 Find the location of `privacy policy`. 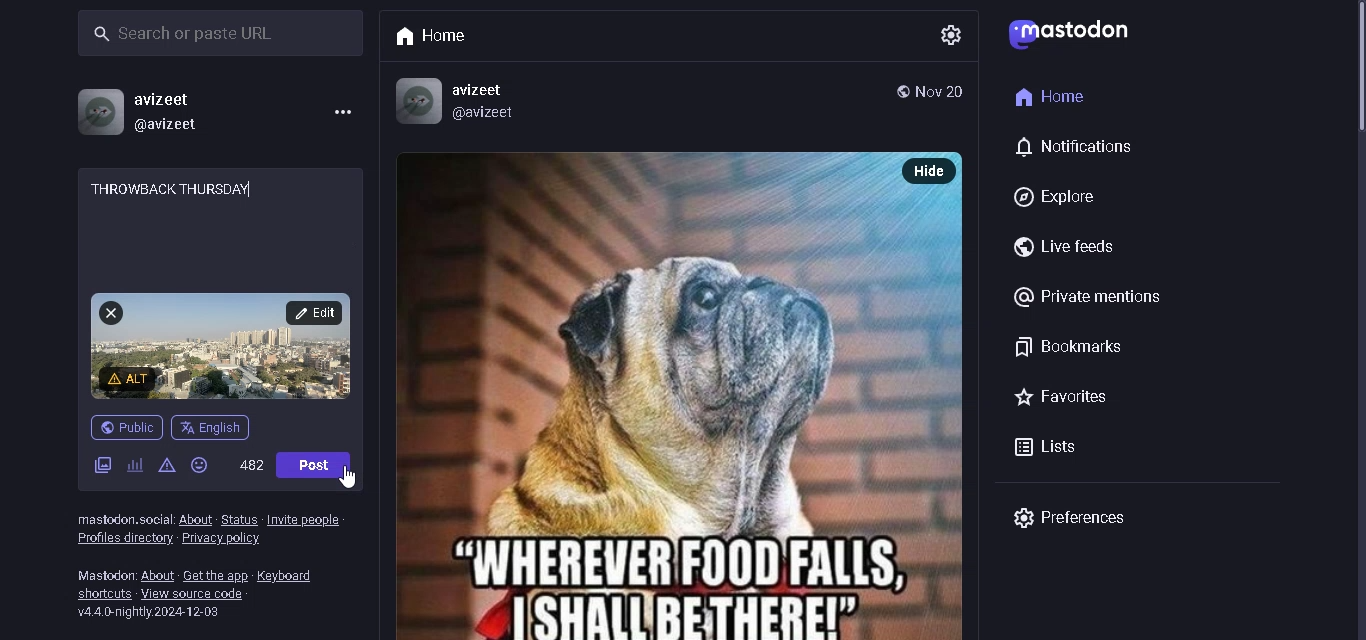

privacy policy is located at coordinates (225, 541).